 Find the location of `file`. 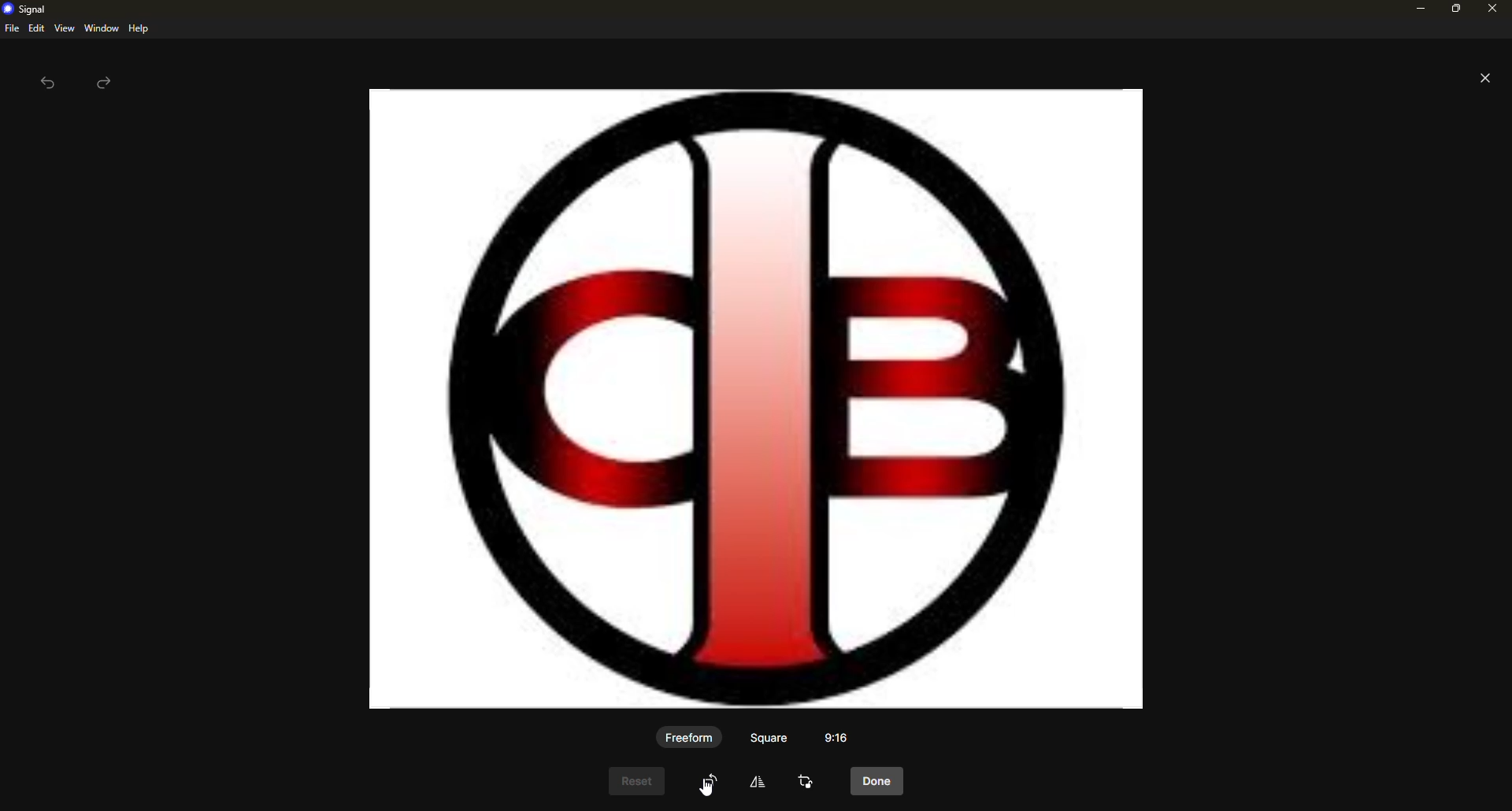

file is located at coordinates (10, 29).